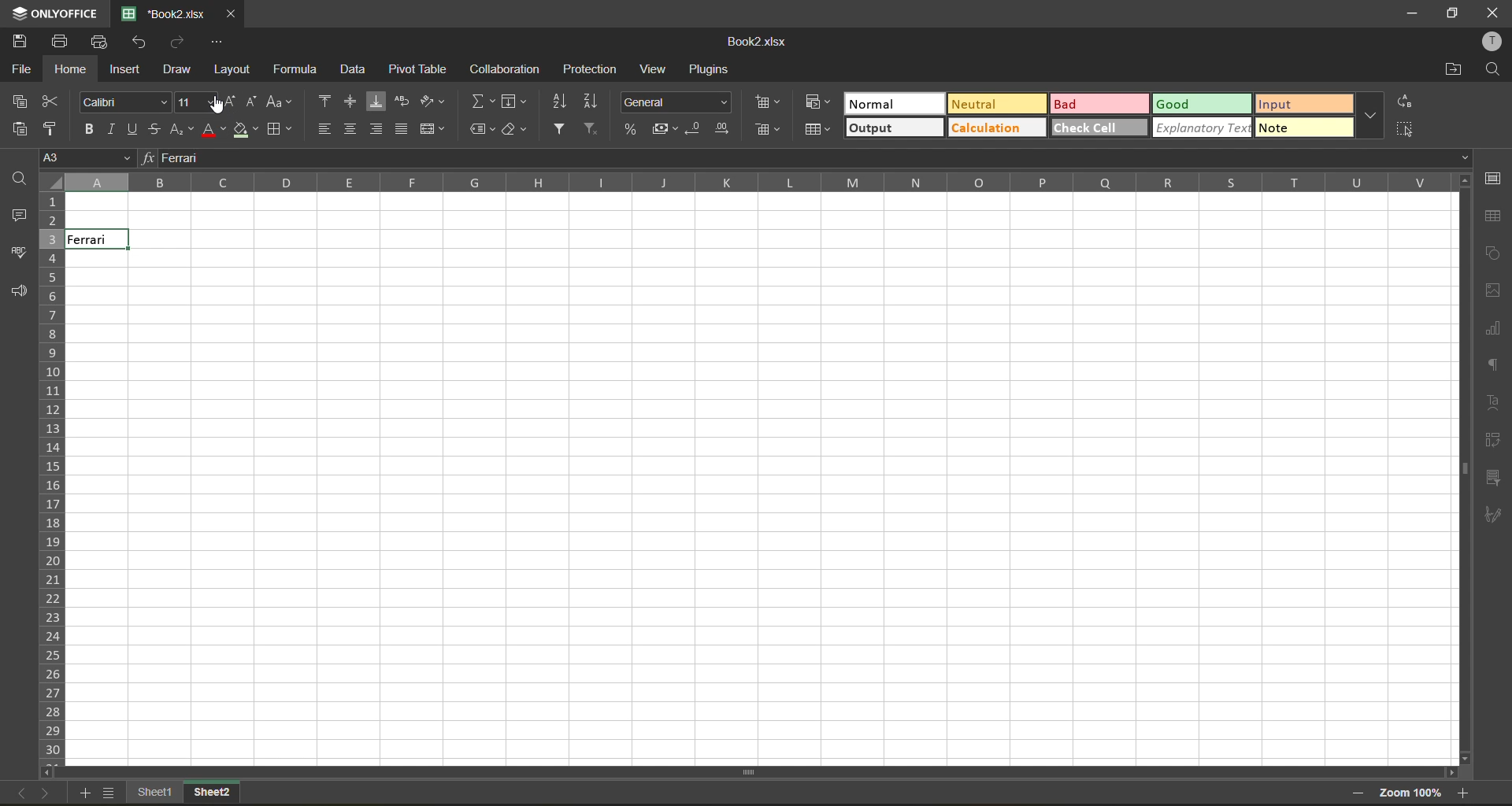 This screenshot has height=806, width=1512. Describe the element at coordinates (772, 130) in the screenshot. I see `delete cells` at that location.